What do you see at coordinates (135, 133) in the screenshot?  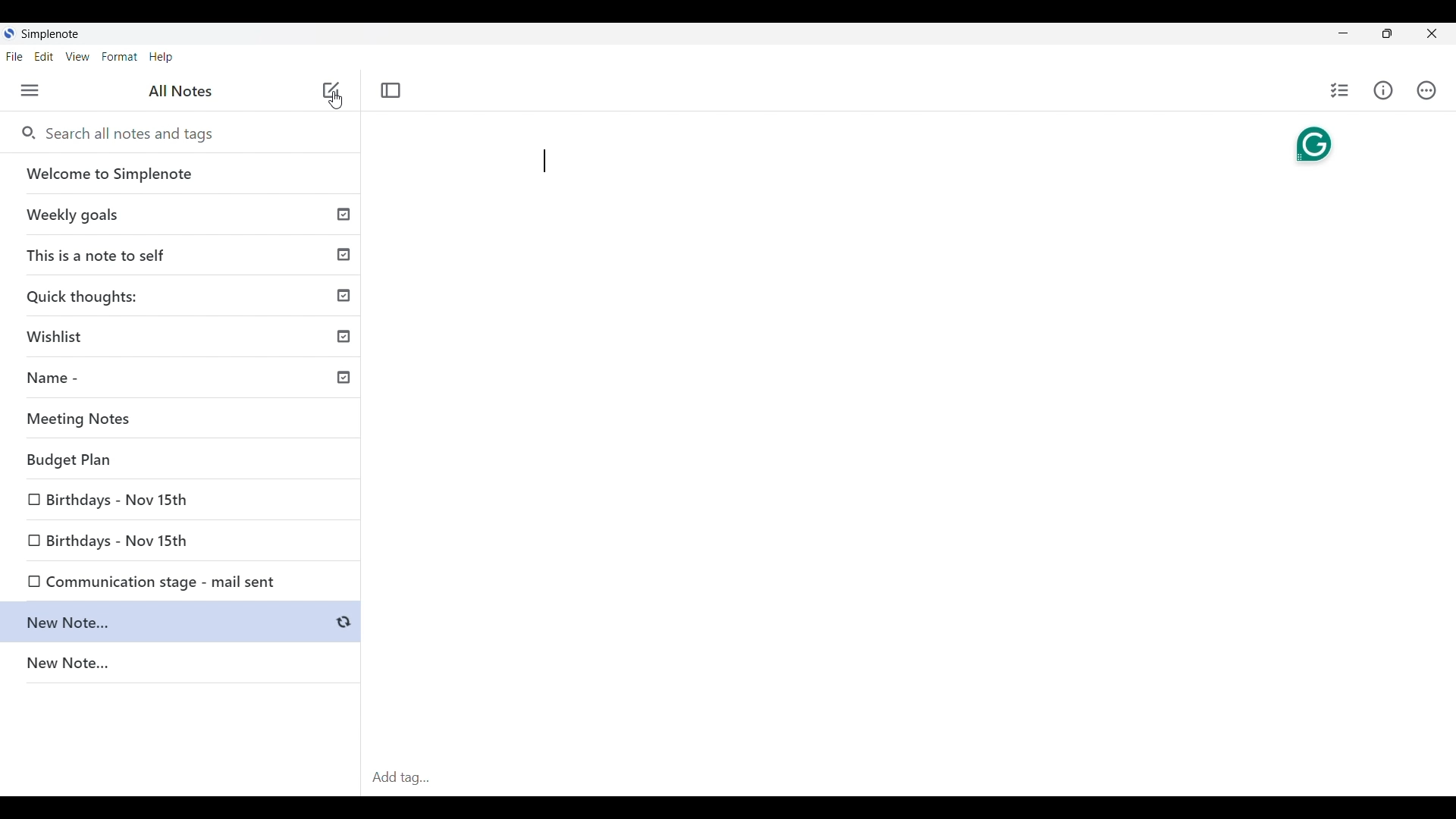 I see `Search all notes and tags` at bounding box center [135, 133].